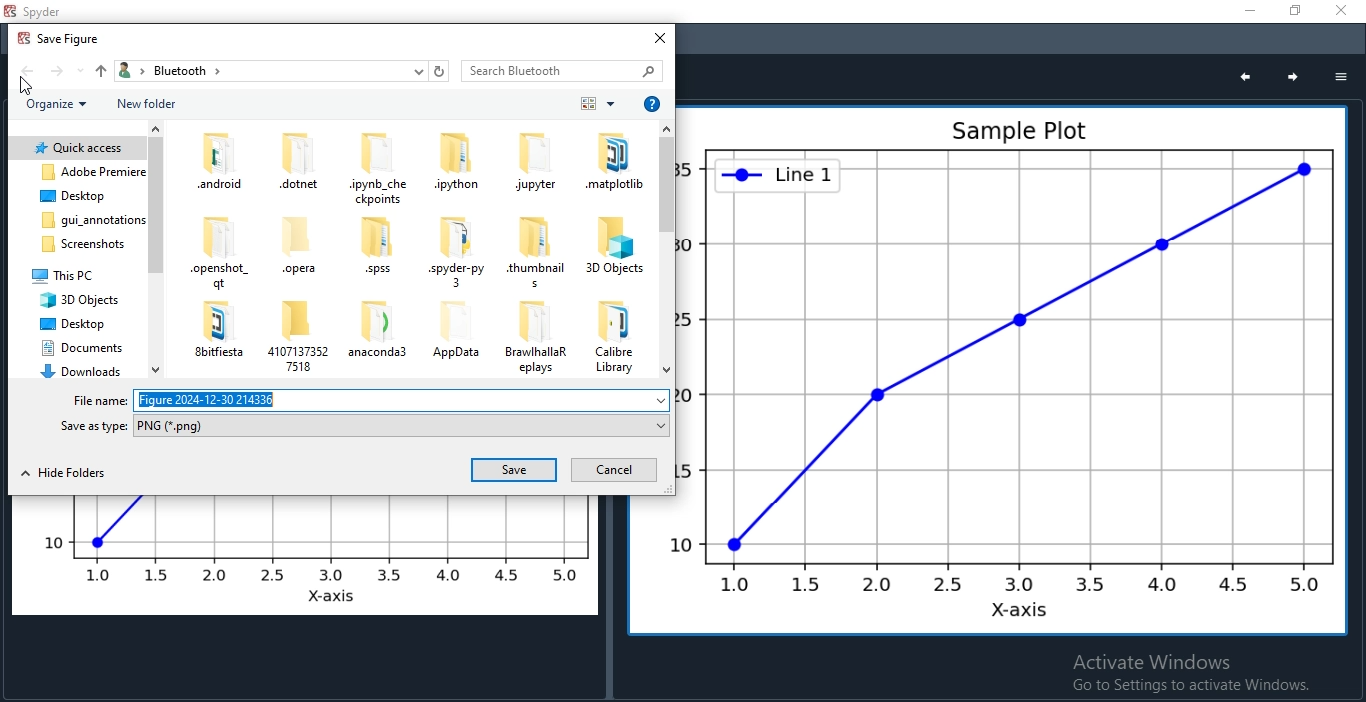 The image size is (1366, 702). I want to click on folder 7, so click(79, 303).